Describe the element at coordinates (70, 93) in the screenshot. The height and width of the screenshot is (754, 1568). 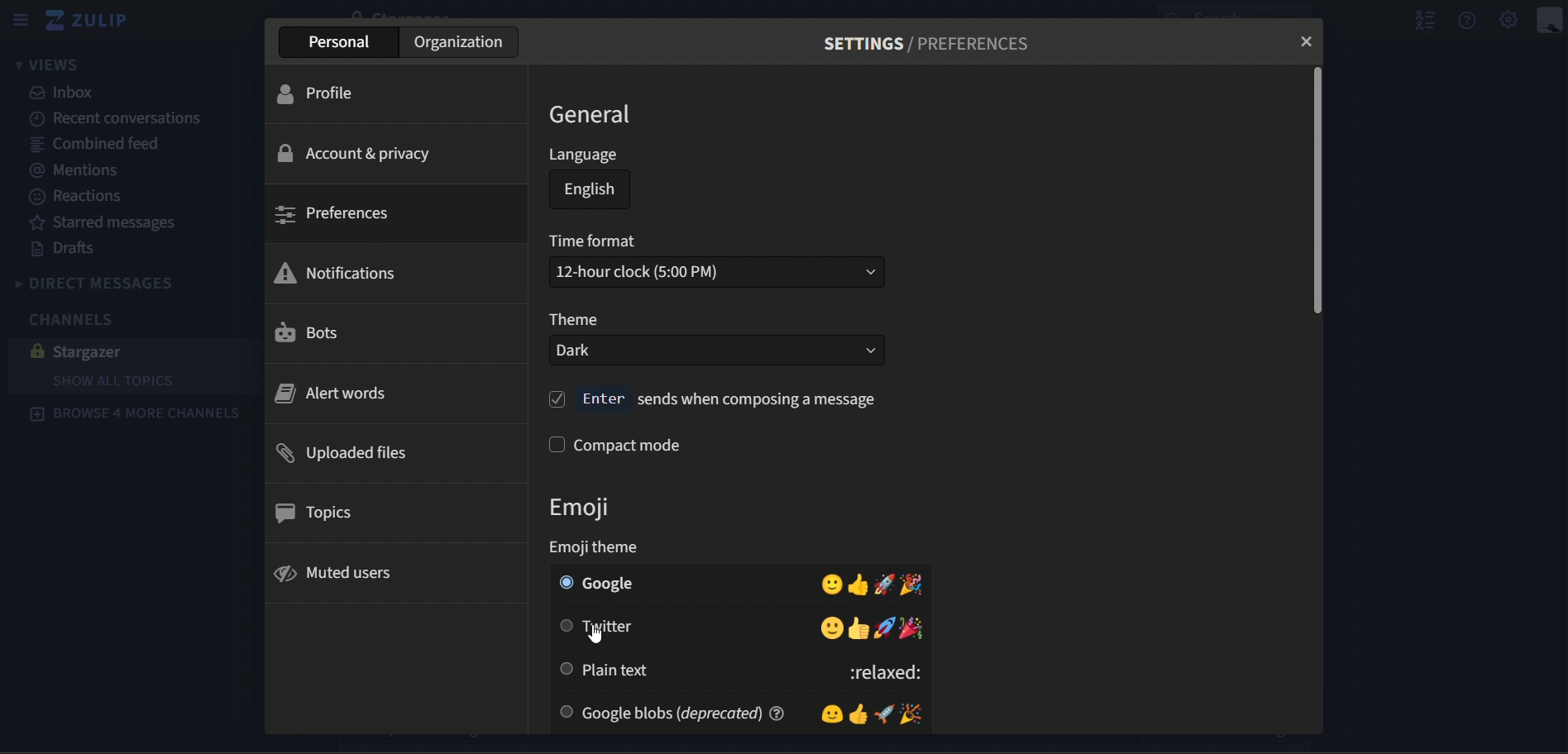
I see `inbox` at that location.